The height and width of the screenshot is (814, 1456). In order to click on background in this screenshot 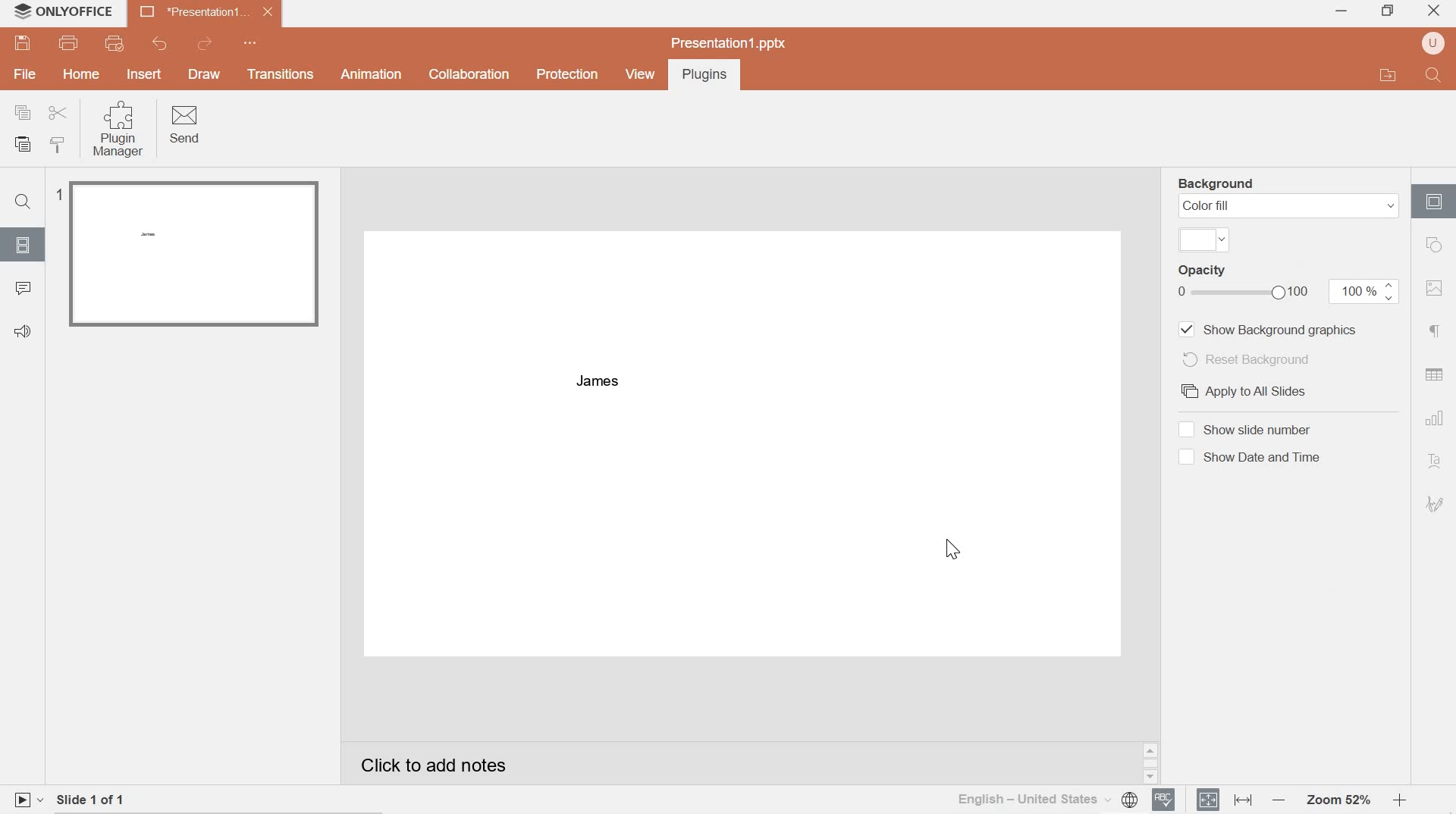, I will do `click(1219, 183)`.